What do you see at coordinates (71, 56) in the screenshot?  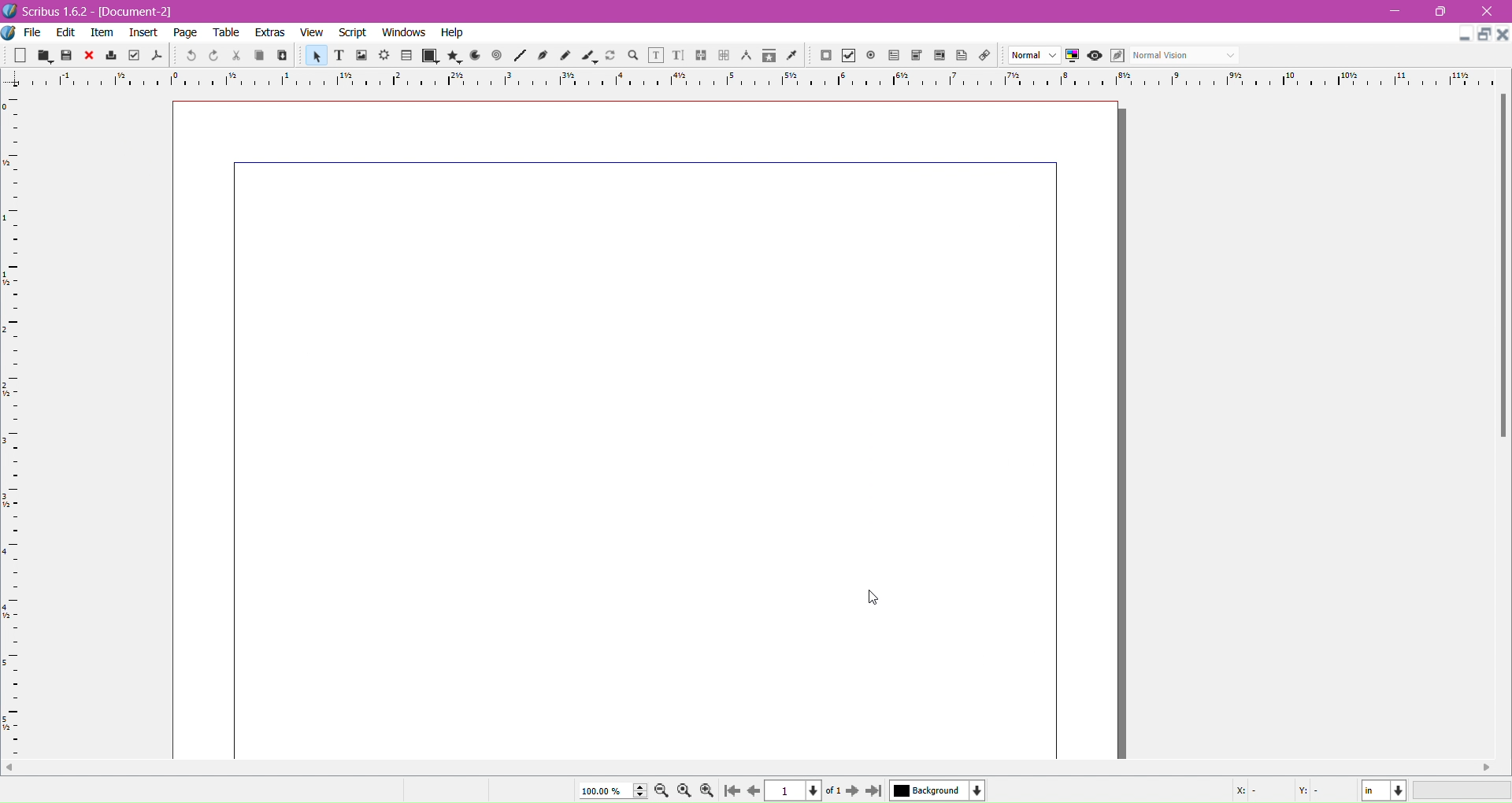 I see `save` at bounding box center [71, 56].